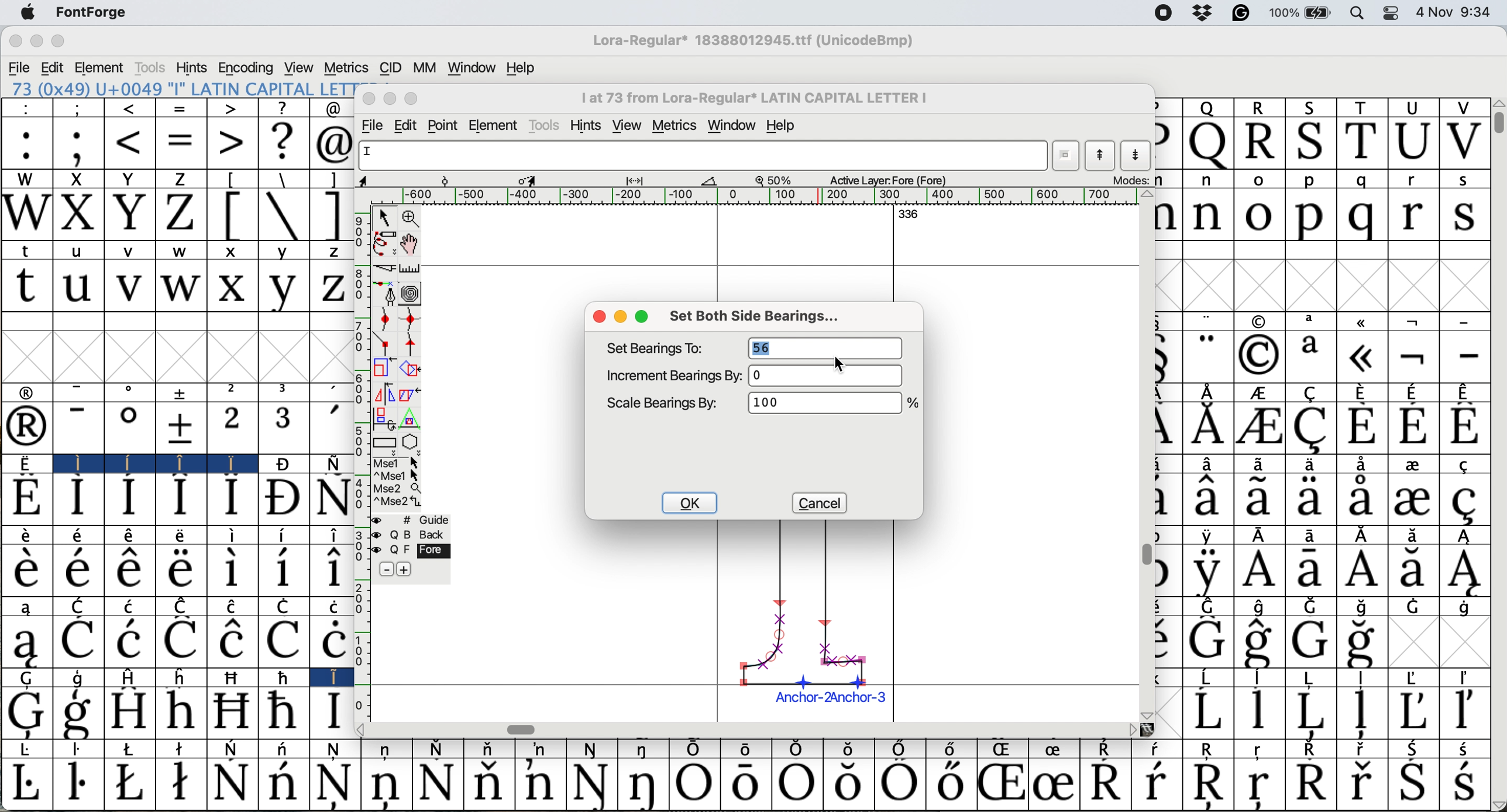 The image size is (1507, 812). I want to click on Symbol, so click(949, 785).